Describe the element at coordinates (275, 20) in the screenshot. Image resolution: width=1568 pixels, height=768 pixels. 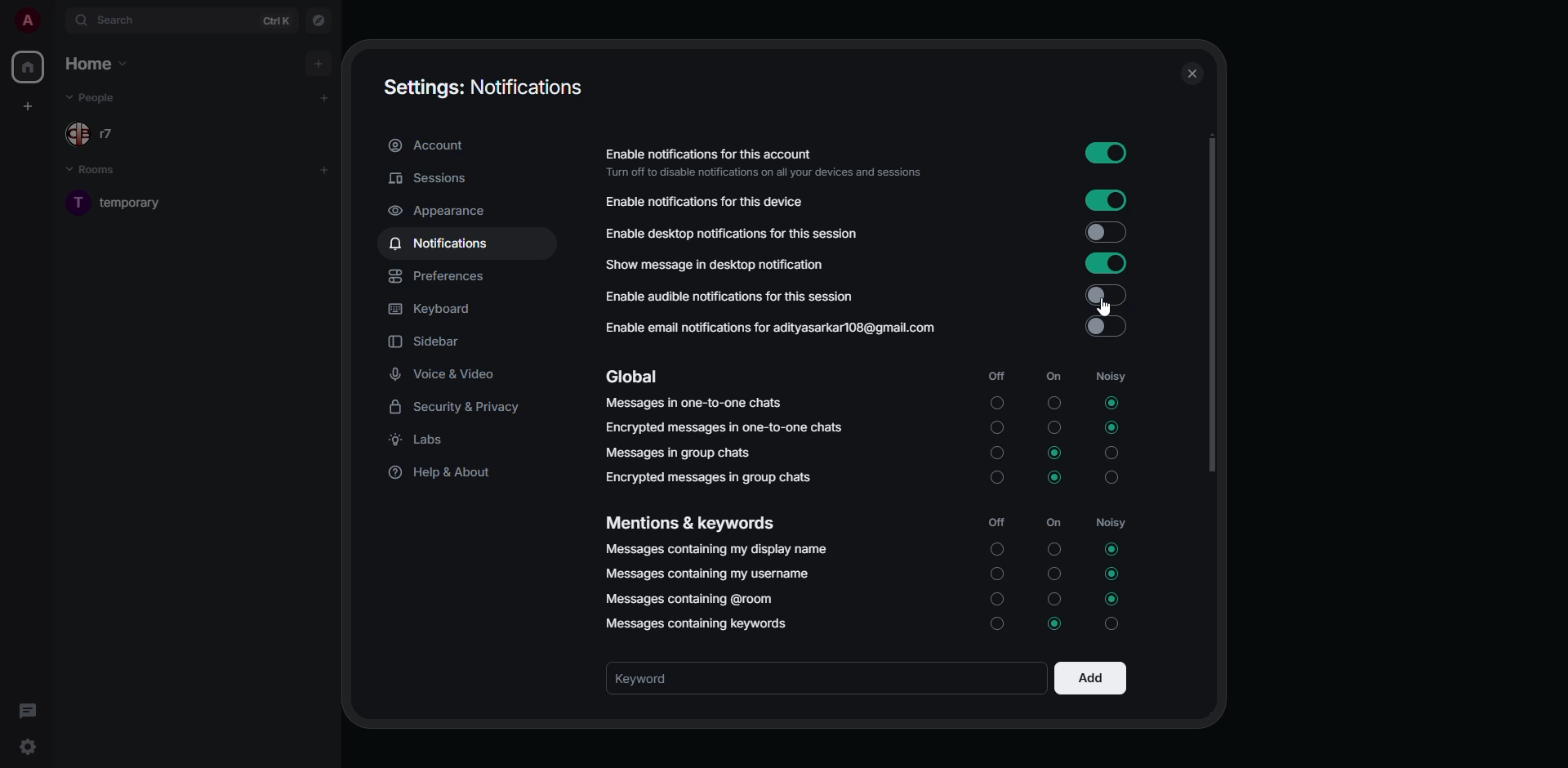
I see `ctrl K` at that location.